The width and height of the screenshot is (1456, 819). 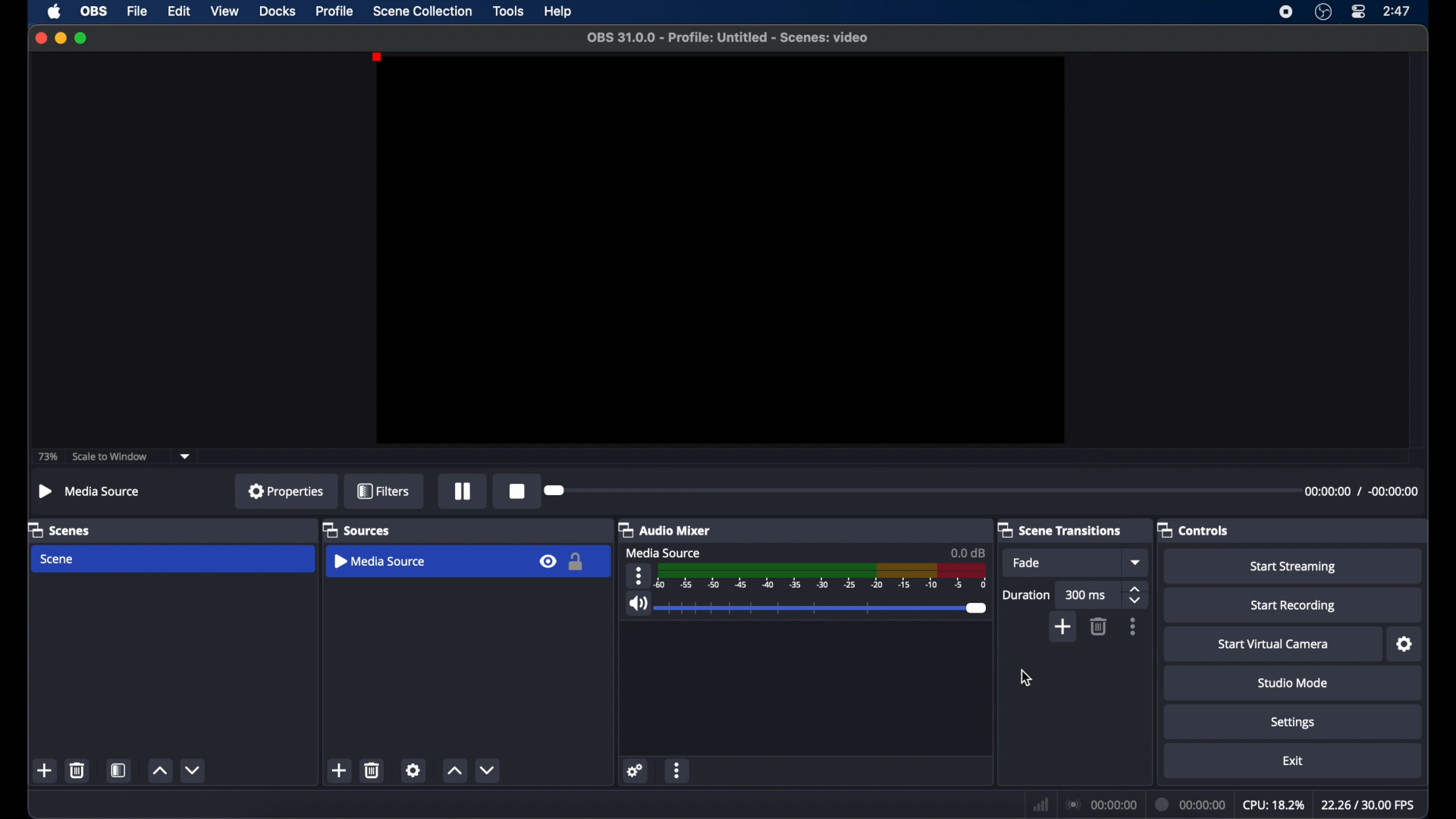 I want to click on settings, so click(x=1404, y=645).